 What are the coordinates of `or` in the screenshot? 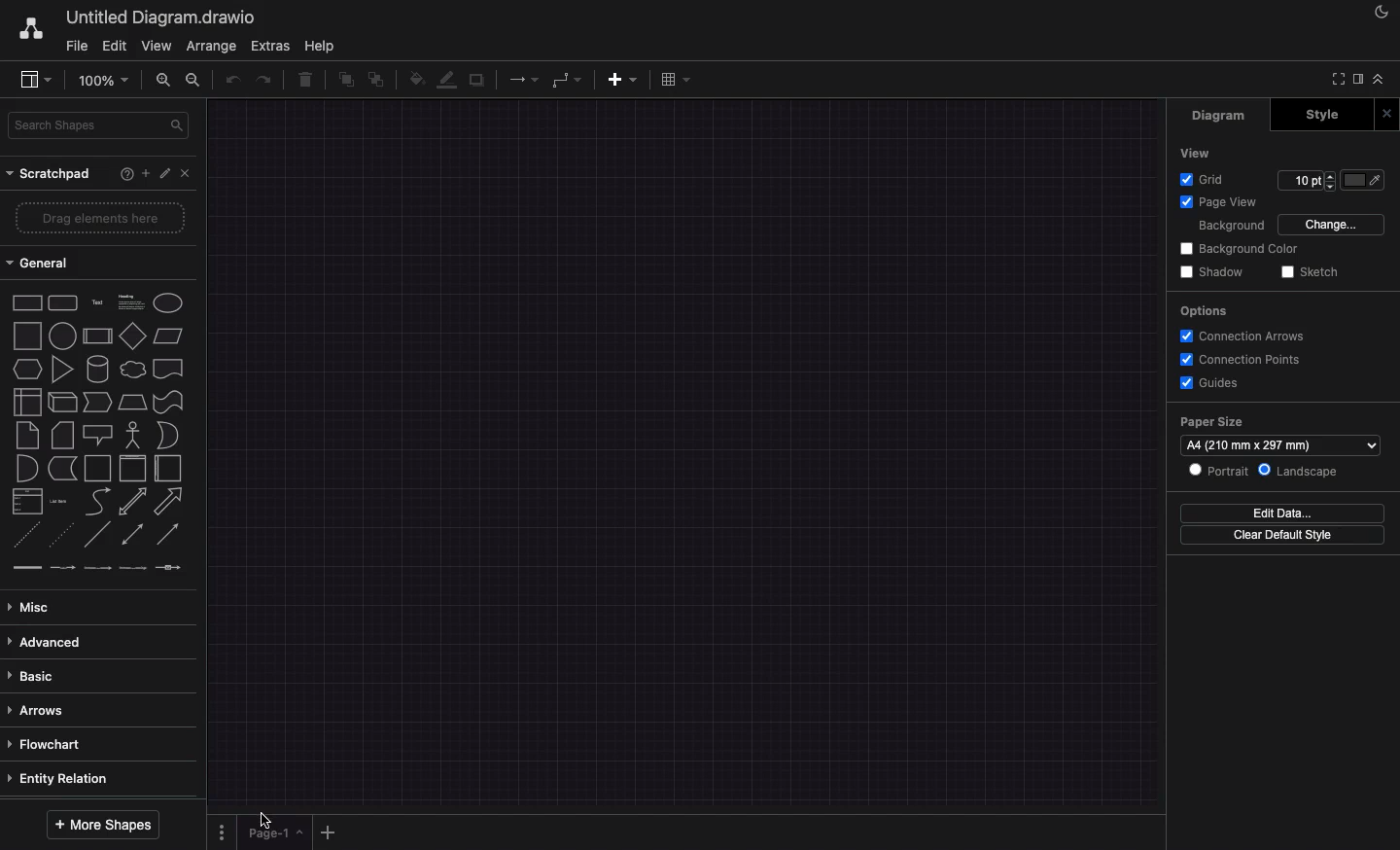 It's located at (171, 436).